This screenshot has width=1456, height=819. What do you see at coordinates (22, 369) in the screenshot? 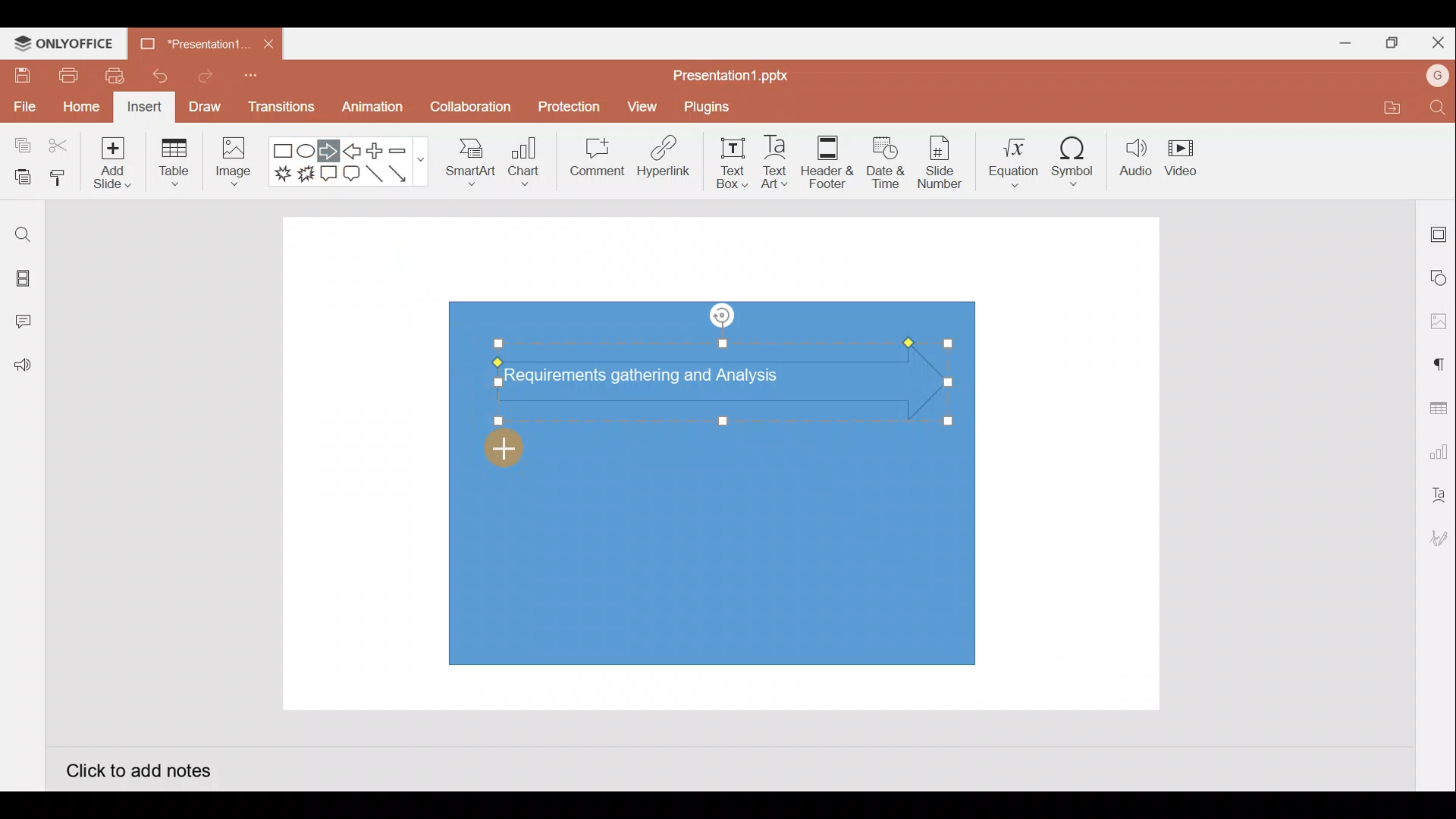
I see `Feedback and Support` at bounding box center [22, 369].